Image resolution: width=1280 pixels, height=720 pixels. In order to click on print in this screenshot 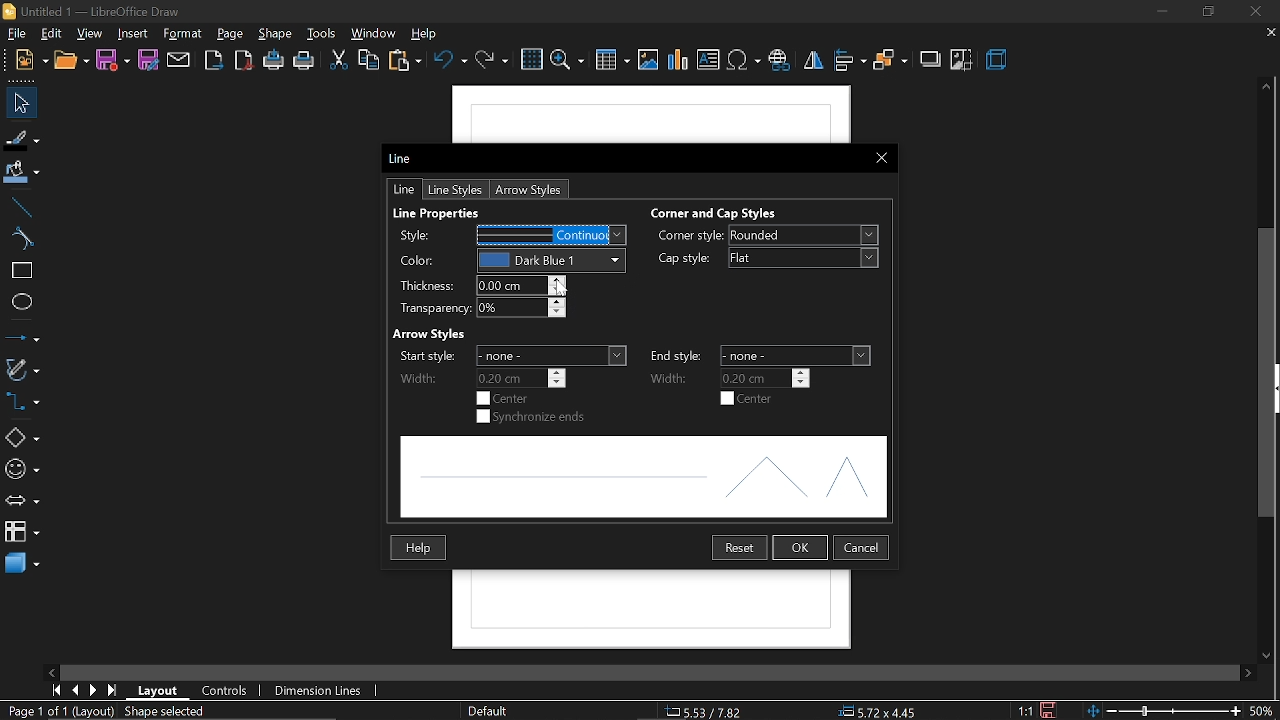, I will do `click(305, 64)`.